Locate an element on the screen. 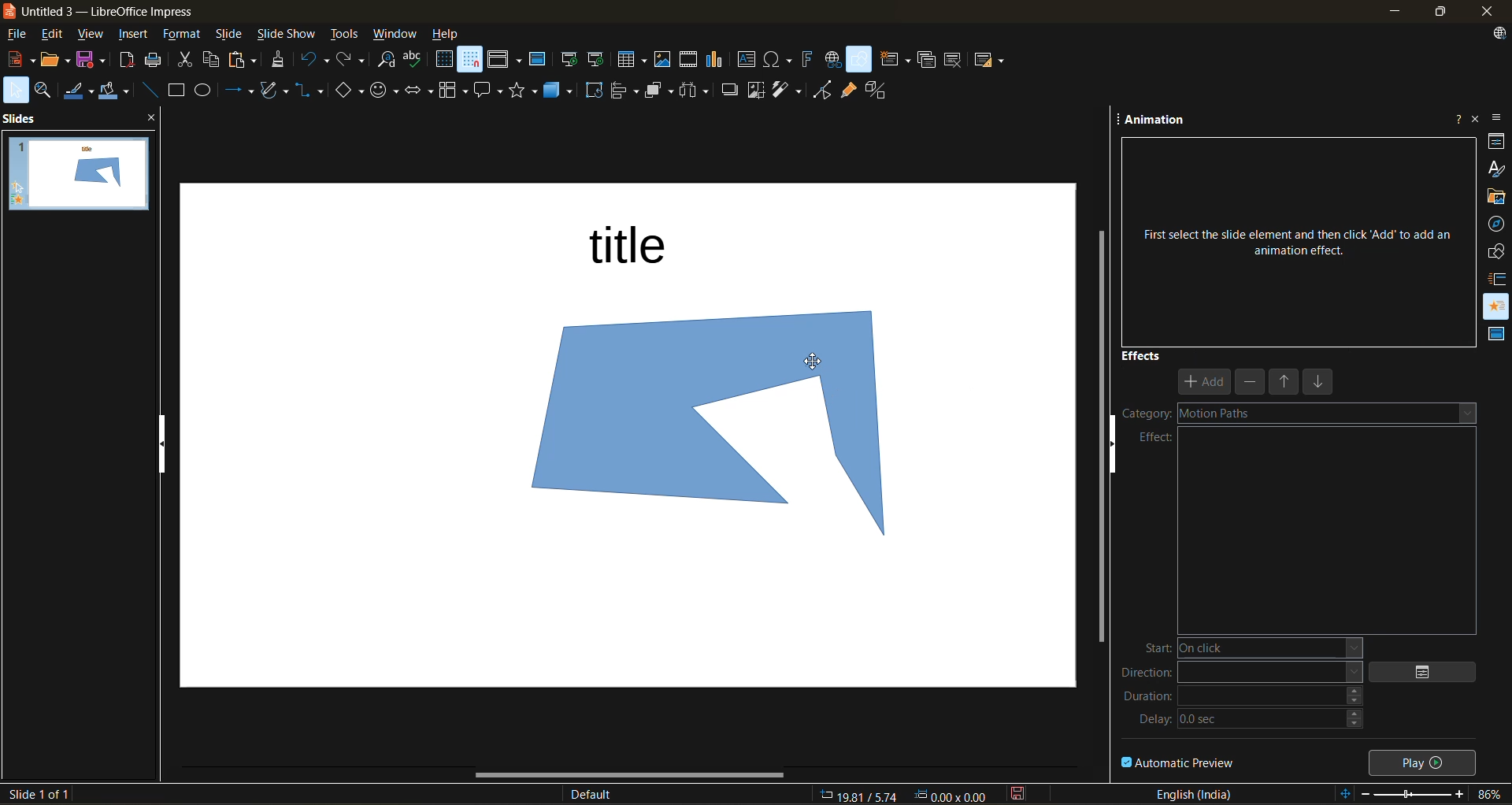  cut is located at coordinates (187, 61).